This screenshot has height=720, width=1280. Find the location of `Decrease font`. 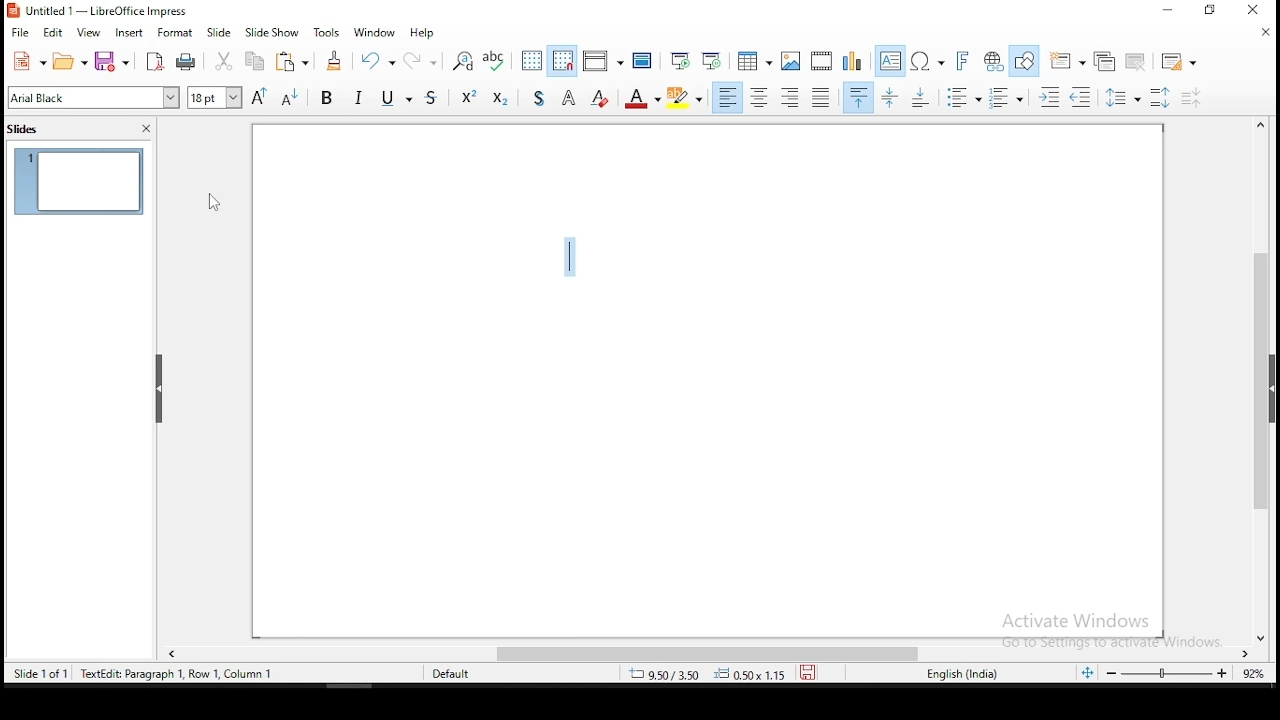

Decrease font is located at coordinates (287, 97).